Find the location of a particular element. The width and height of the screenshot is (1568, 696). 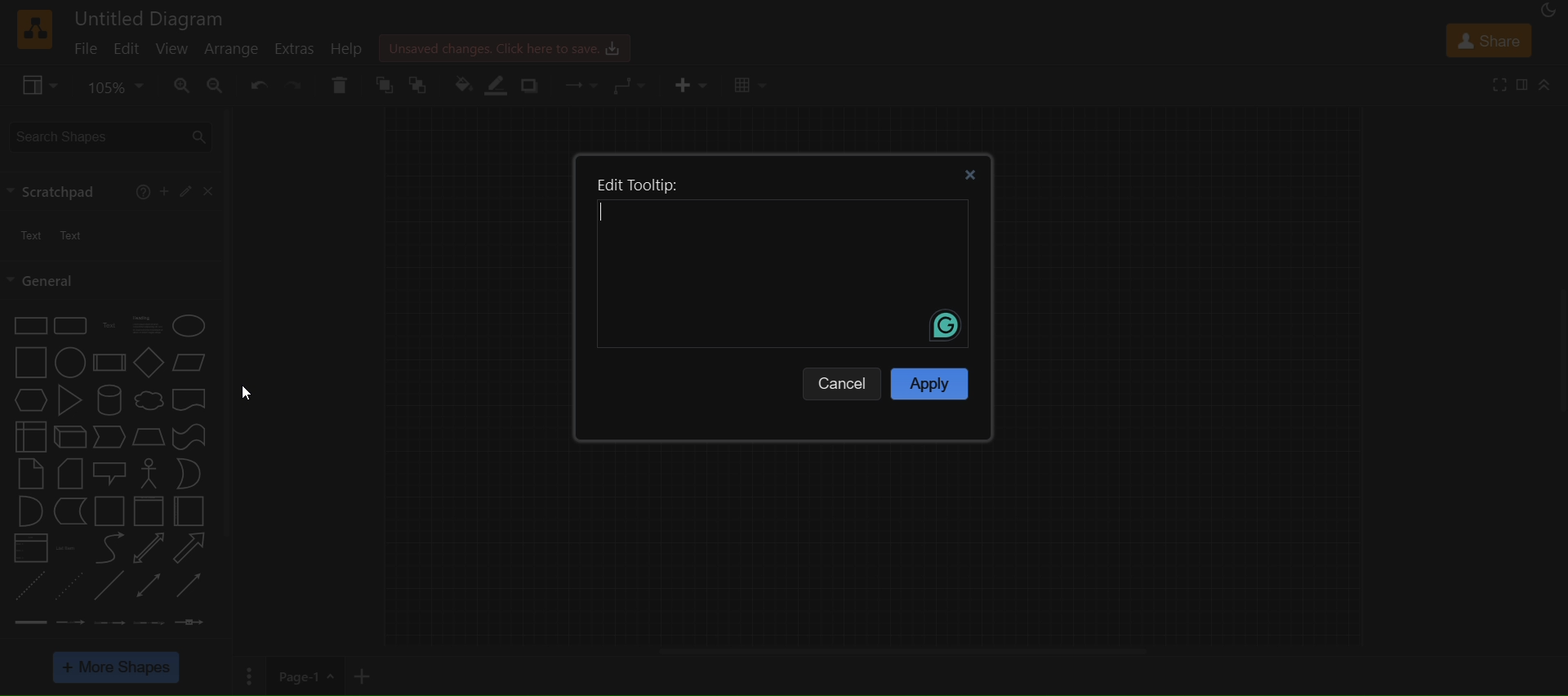

help is located at coordinates (143, 194).